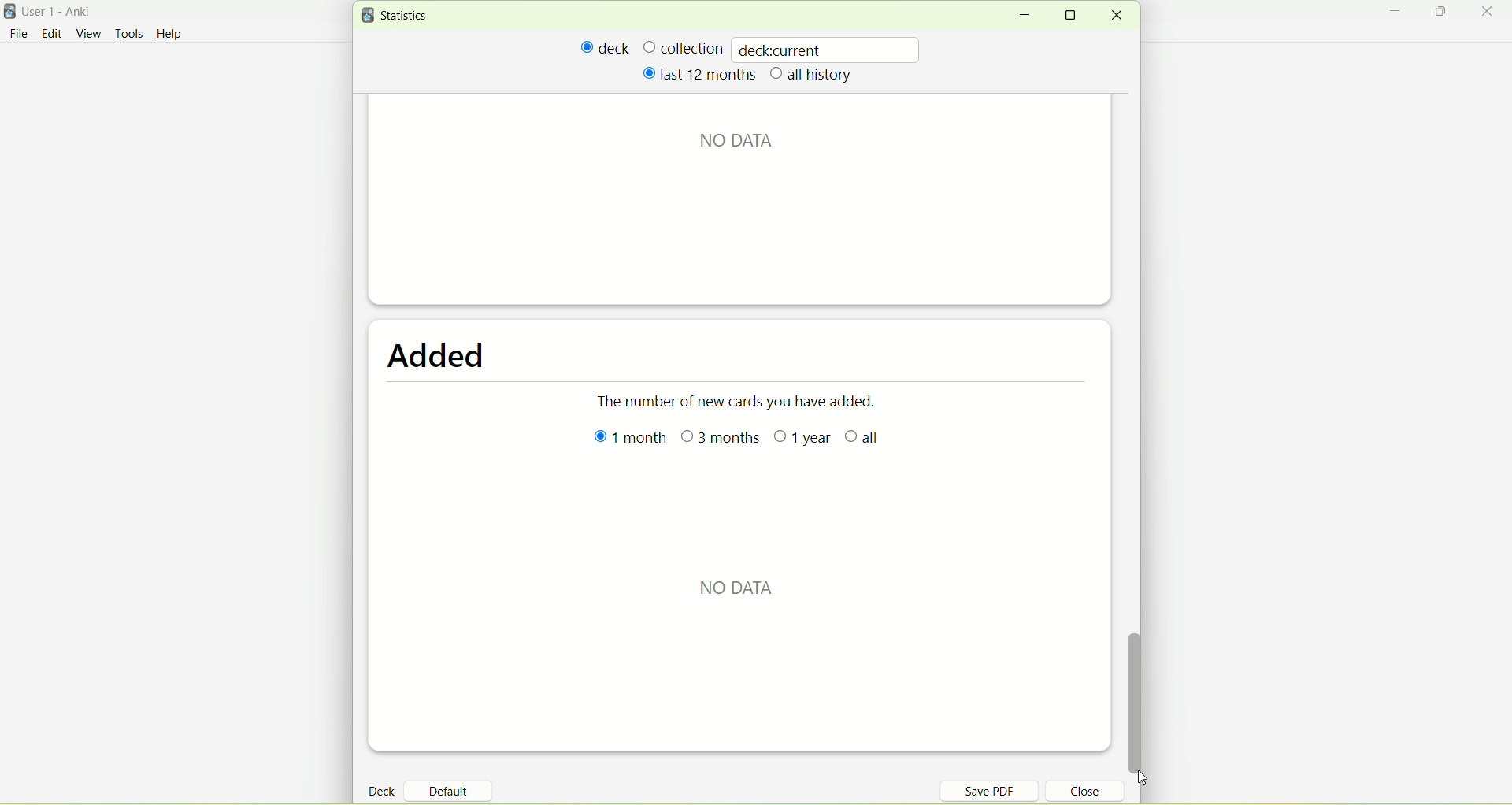 The width and height of the screenshot is (1512, 805). Describe the element at coordinates (128, 35) in the screenshot. I see `tools` at that location.